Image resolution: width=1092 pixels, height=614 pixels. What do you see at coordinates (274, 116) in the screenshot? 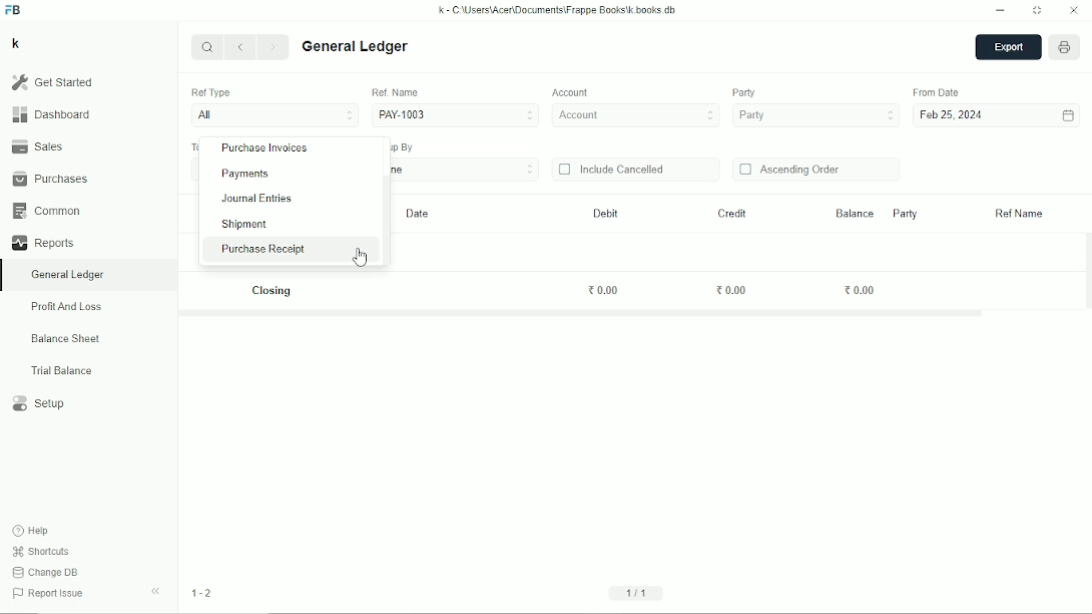
I see `All` at bounding box center [274, 116].